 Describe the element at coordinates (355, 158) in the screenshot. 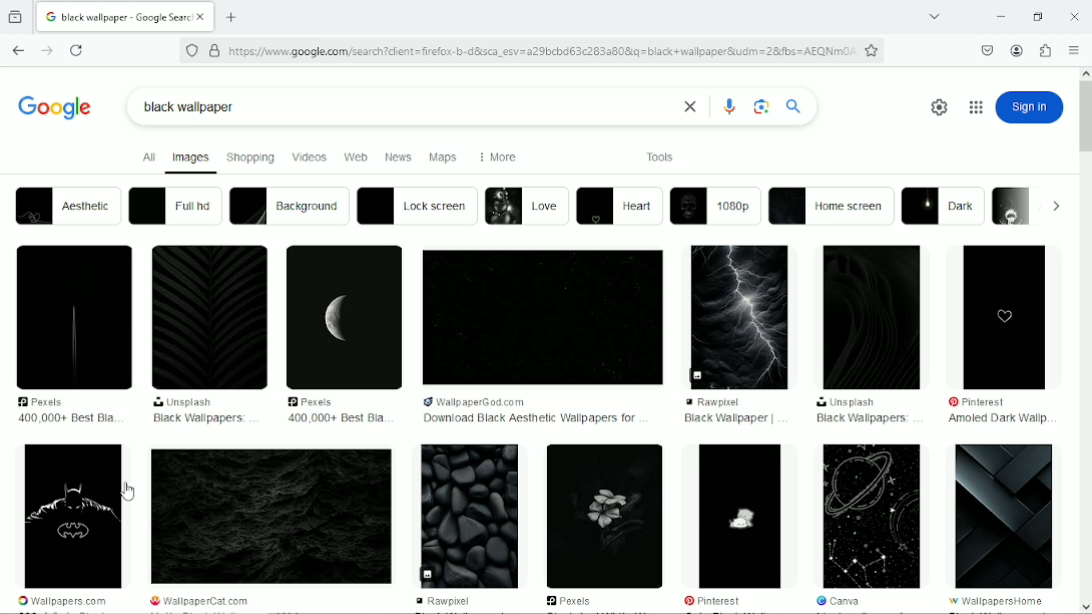

I see `web` at that location.